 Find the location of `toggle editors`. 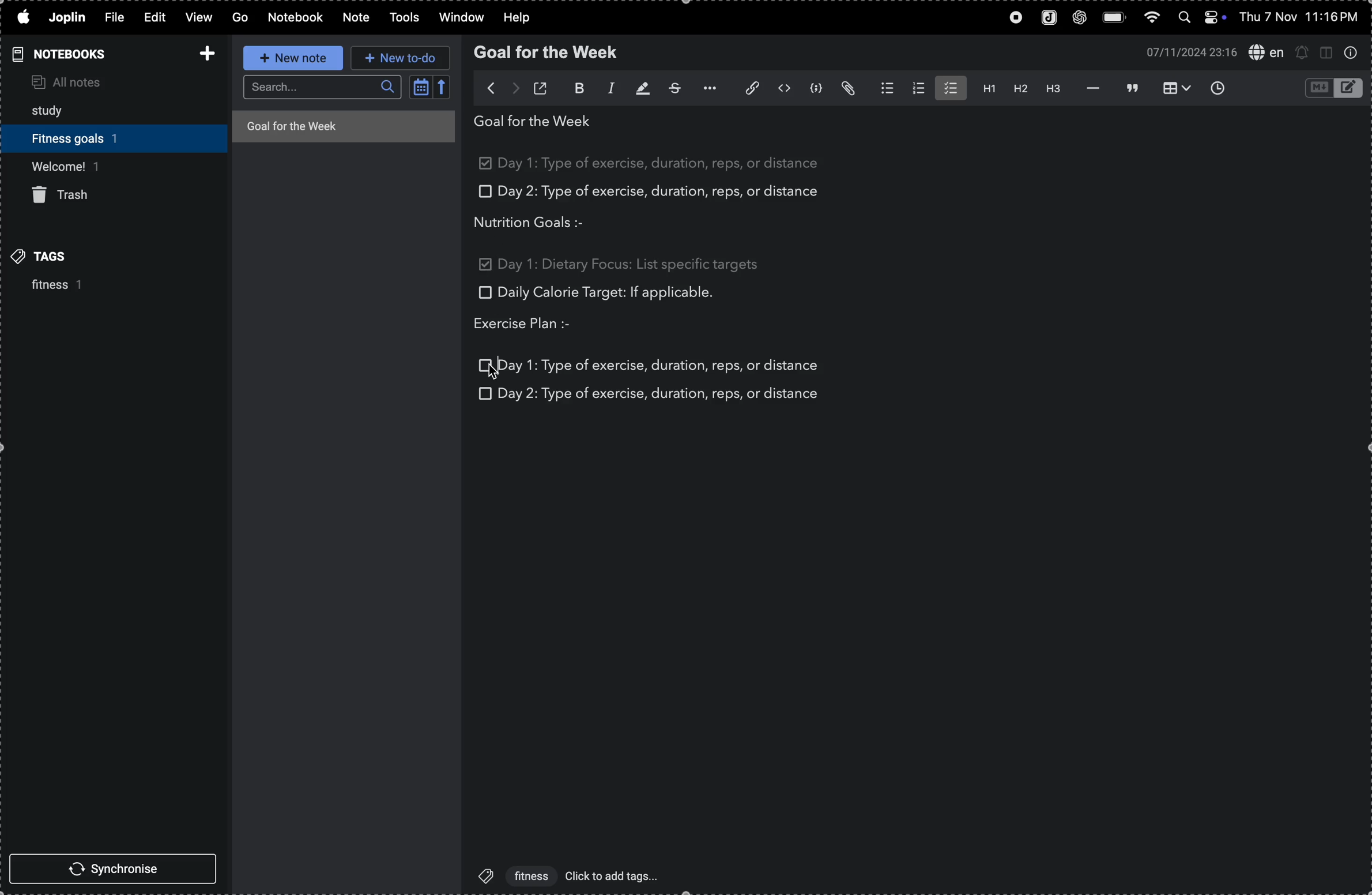

toggle editors is located at coordinates (1330, 88).